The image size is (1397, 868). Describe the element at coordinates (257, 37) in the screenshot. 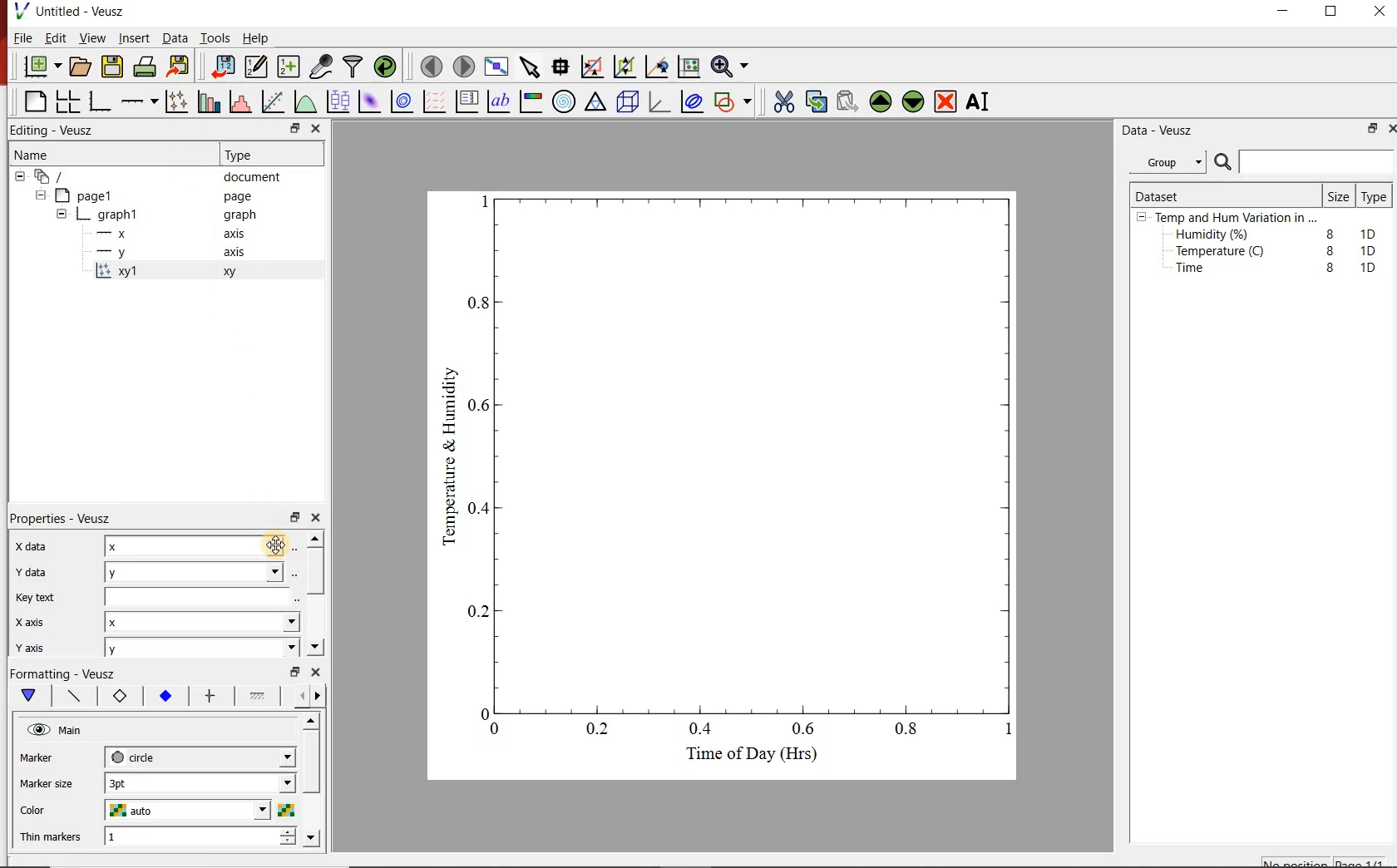

I see `Help` at that location.